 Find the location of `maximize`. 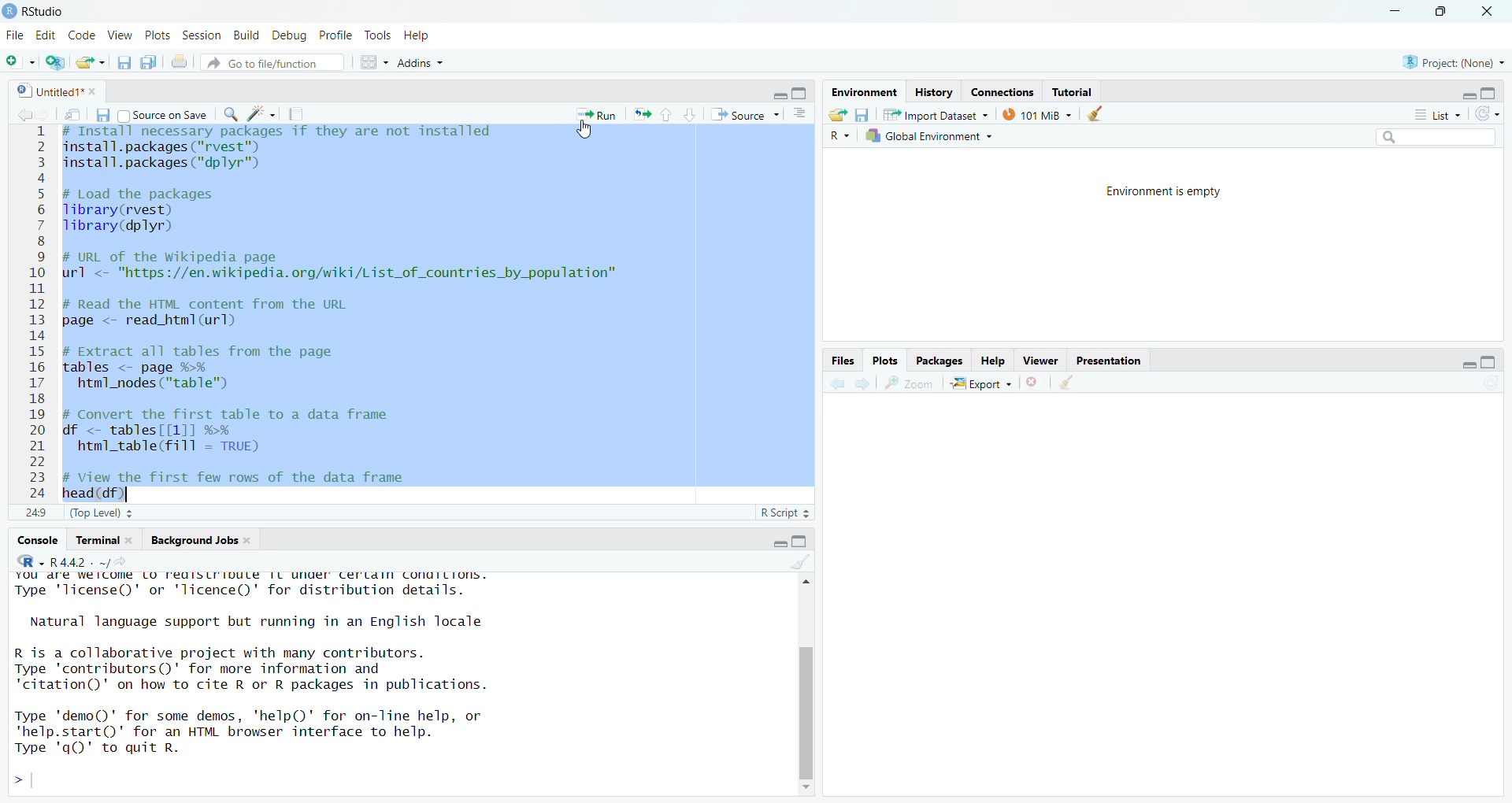

maximize is located at coordinates (799, 92).